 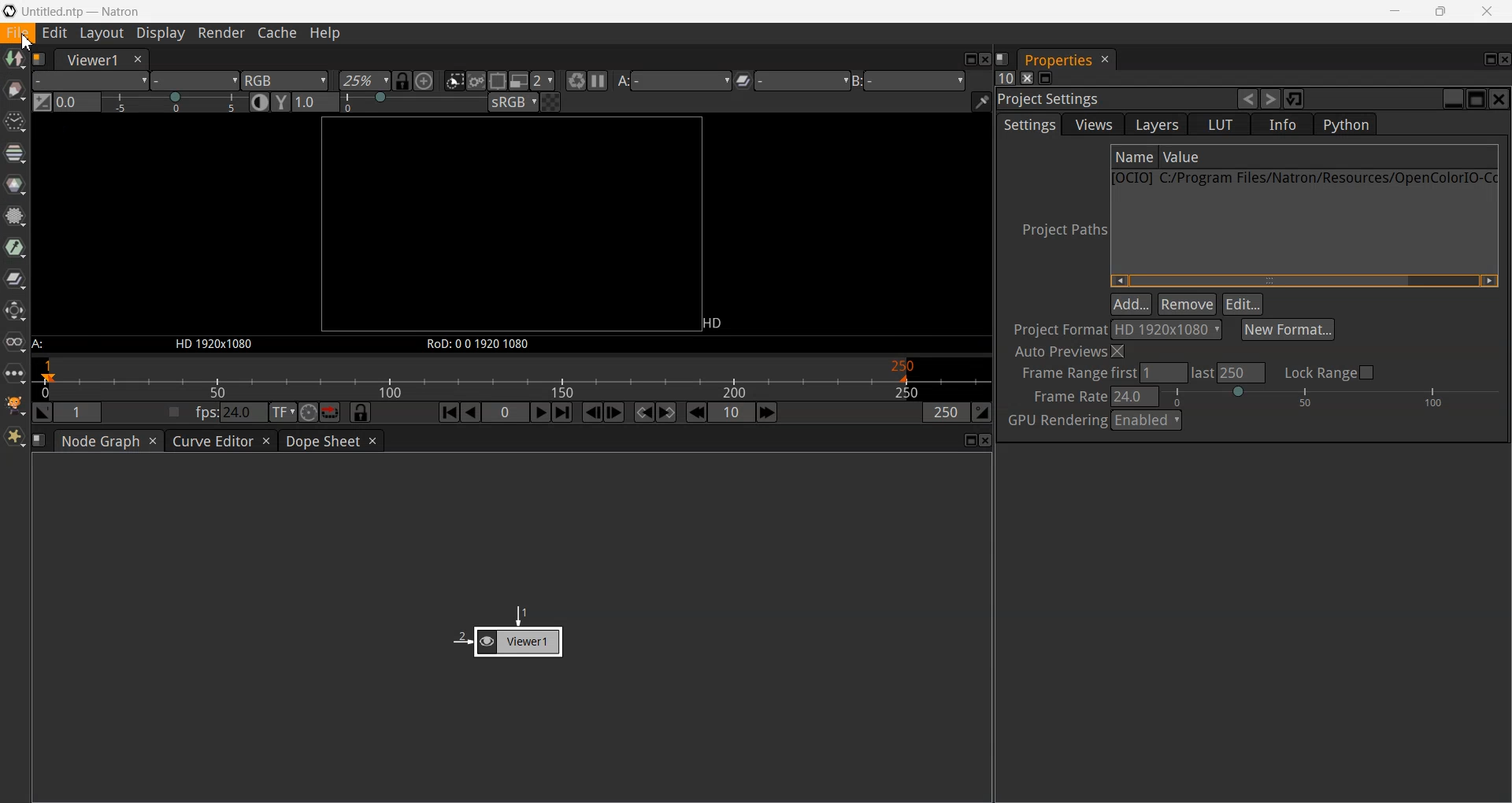 I want to click on The playback out point, so click(x=947, y=412).